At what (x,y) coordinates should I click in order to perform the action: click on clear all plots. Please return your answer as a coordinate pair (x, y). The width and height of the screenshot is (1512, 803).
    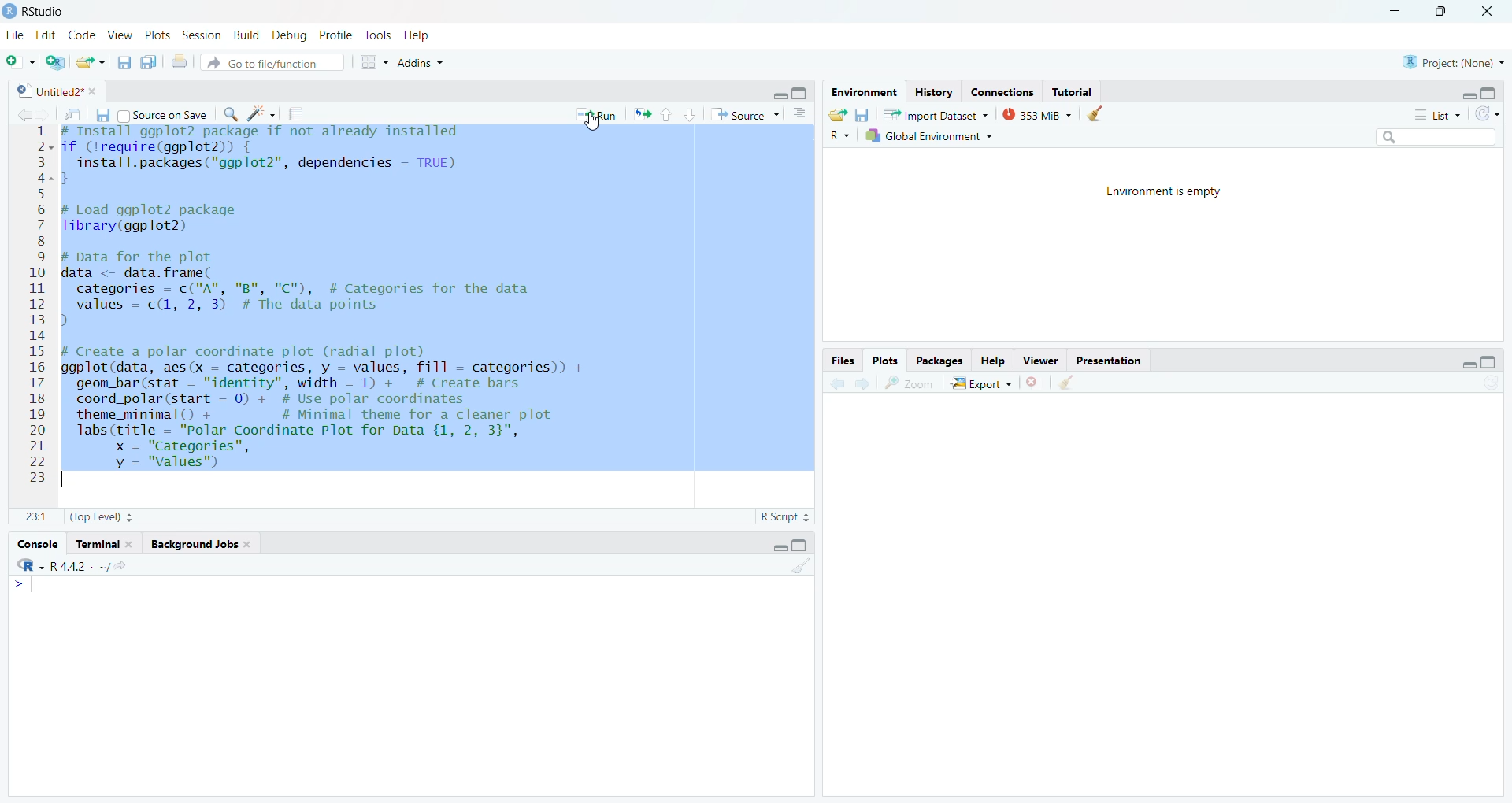
    Looking at the image, I should click on (1070, 385).